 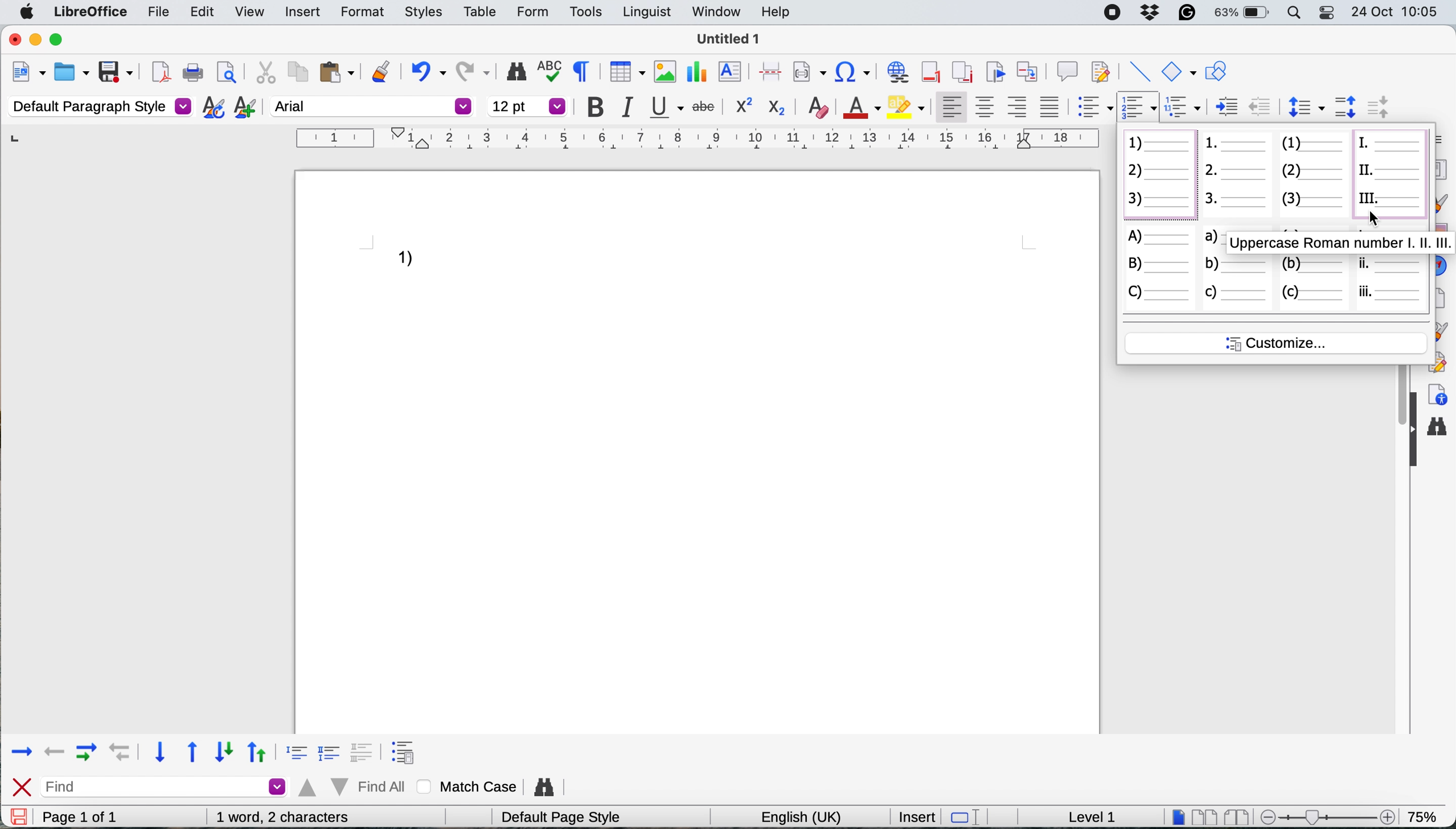 What do you see at coordinates (1226, 105) in the screenshot?
I see `decrease indent` at bounding box center [1226, 105].